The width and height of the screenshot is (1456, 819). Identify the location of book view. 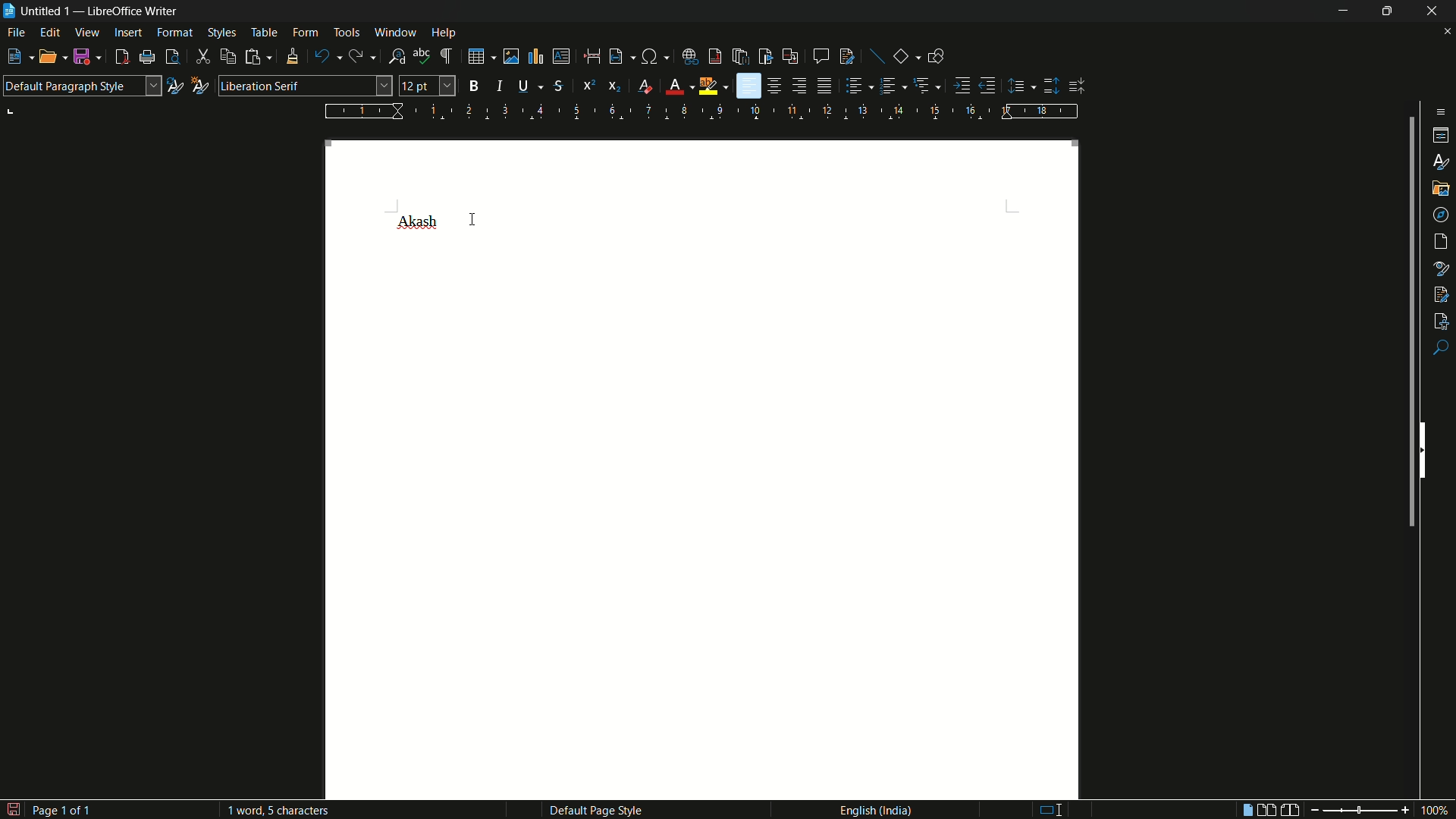
(1291, 811).